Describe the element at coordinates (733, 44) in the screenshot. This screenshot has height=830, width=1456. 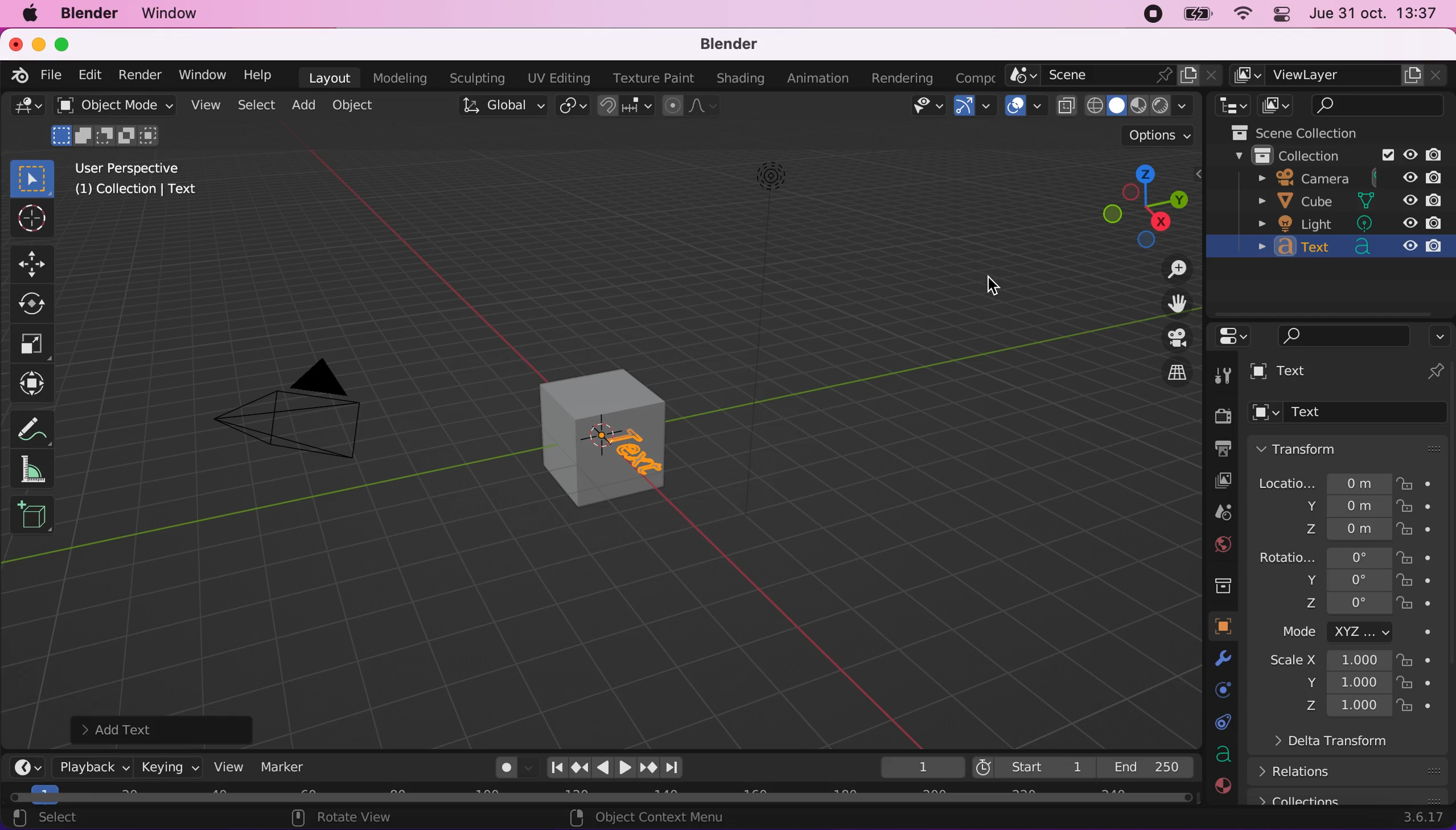
I see `blender` at that location.